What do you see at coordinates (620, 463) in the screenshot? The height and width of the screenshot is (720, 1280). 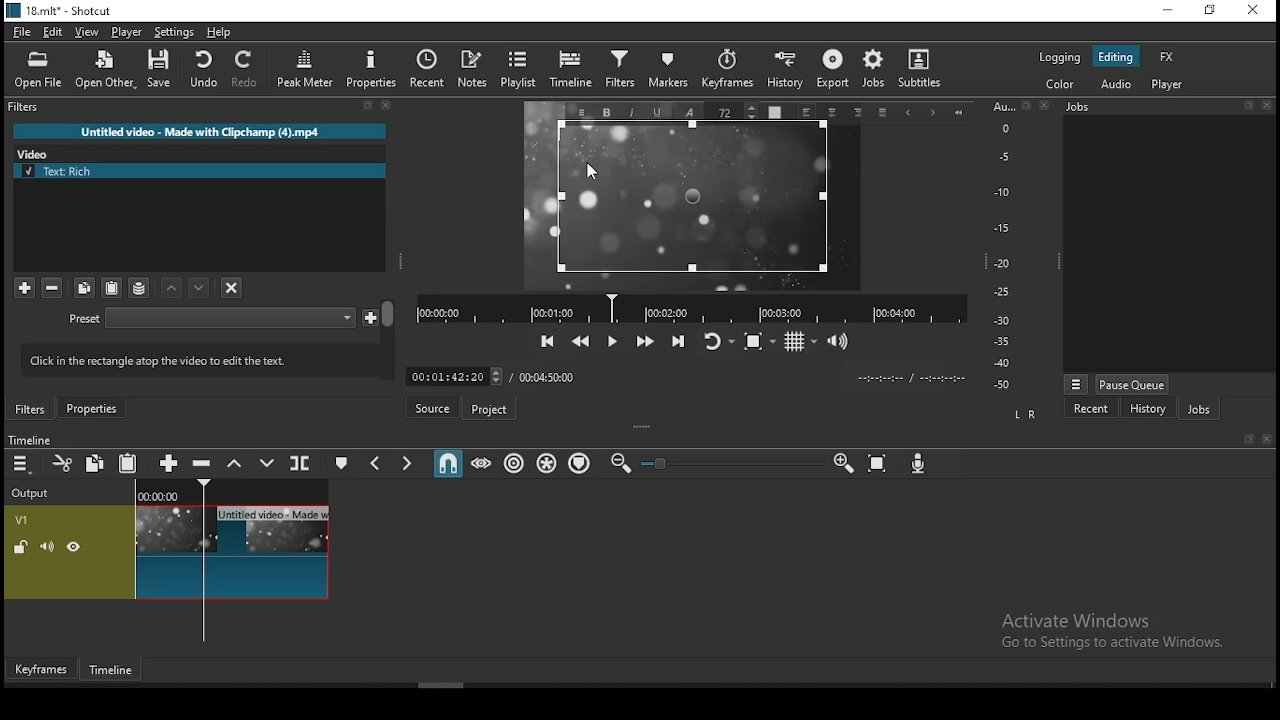 I see `zoom timeline out` at bounding box center [620, 463].